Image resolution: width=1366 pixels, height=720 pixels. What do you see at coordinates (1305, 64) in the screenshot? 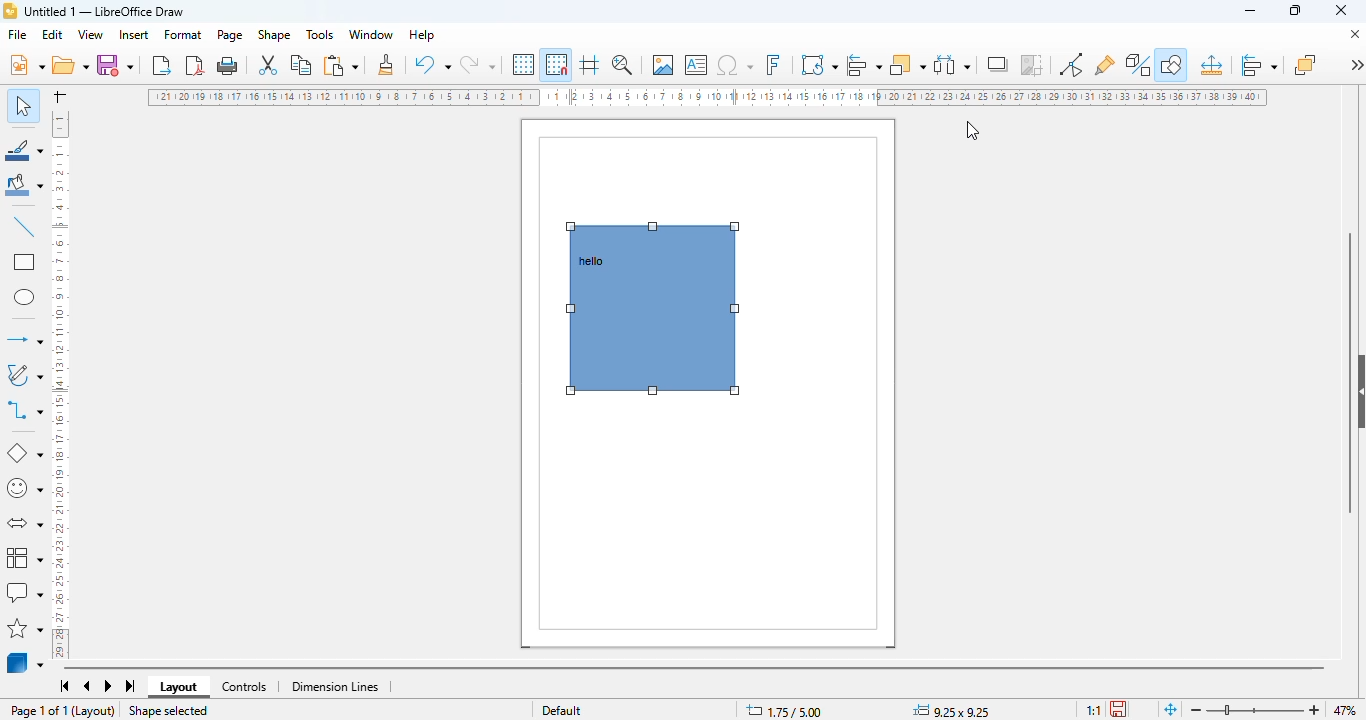
I see `bring to front` at bounding box center [1305, 64].